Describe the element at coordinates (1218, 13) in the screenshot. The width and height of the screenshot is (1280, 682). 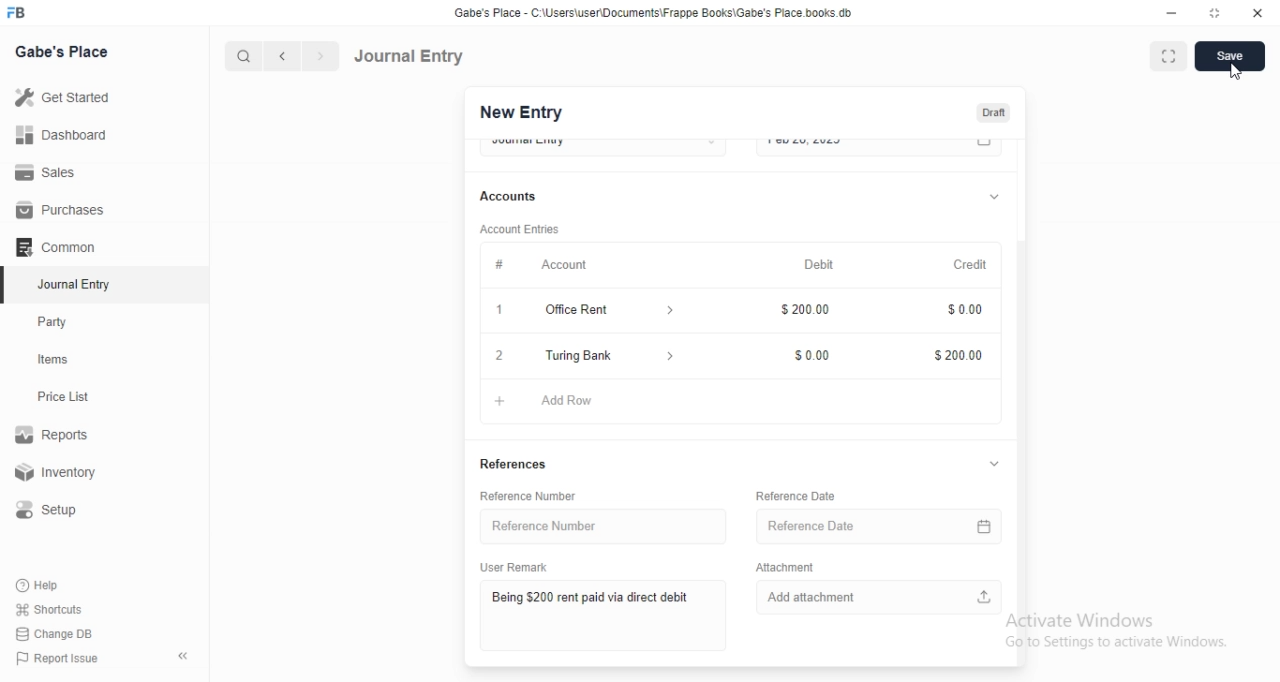
I see `restore` at that location.